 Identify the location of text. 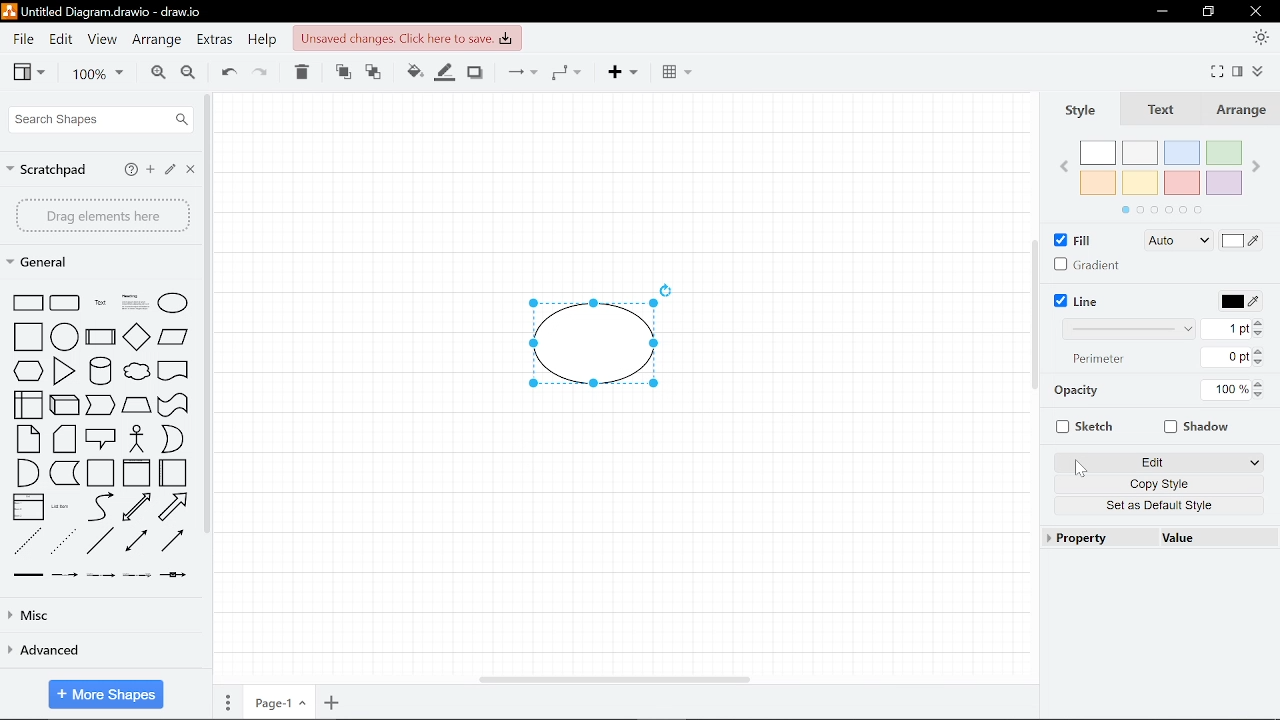
(98, 303).